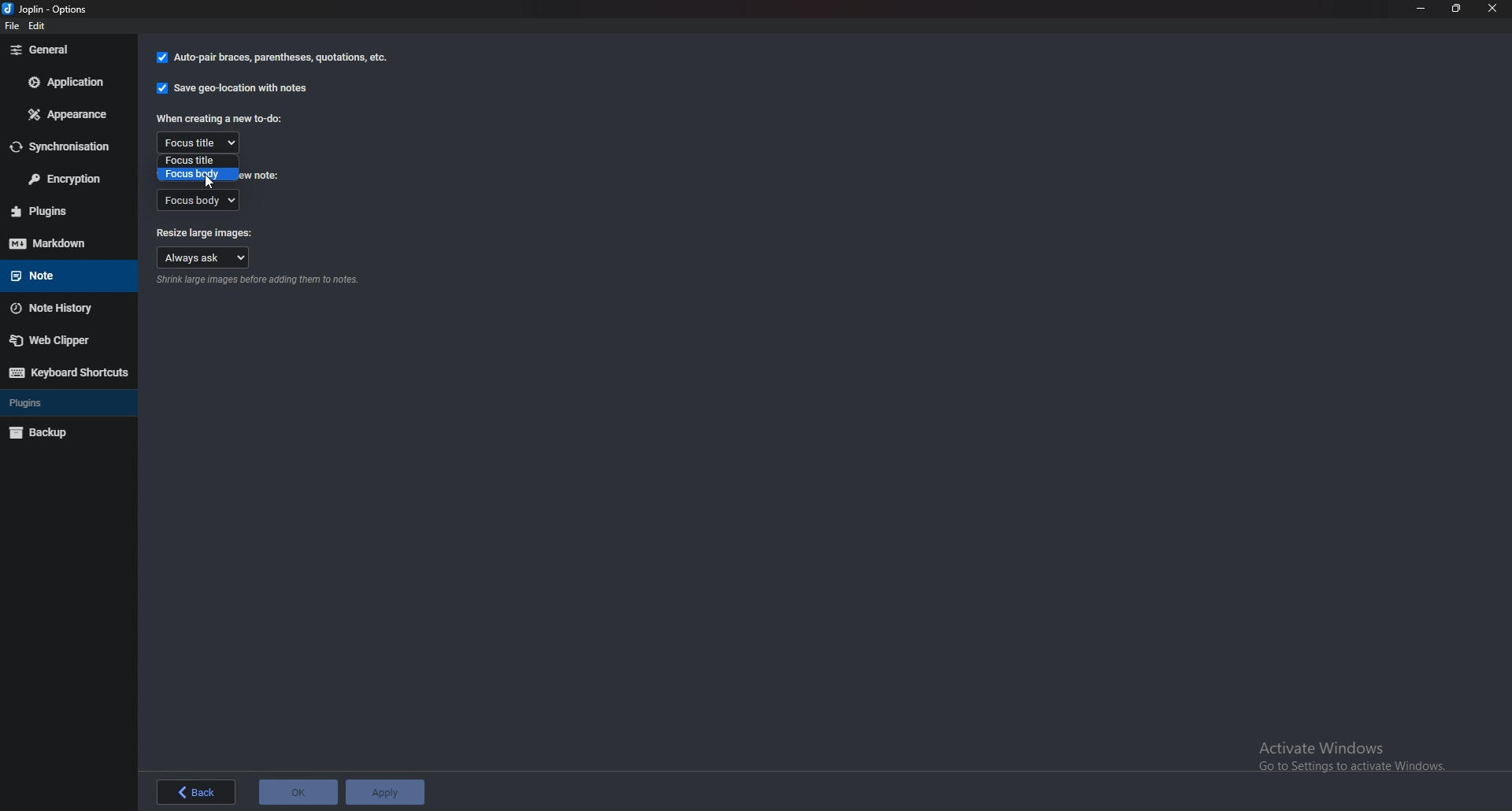 This screenshot has height=811, width=1512. Describe the element at coordinates (66, 147) in the screenshot. I see `Synchronization` at that location.